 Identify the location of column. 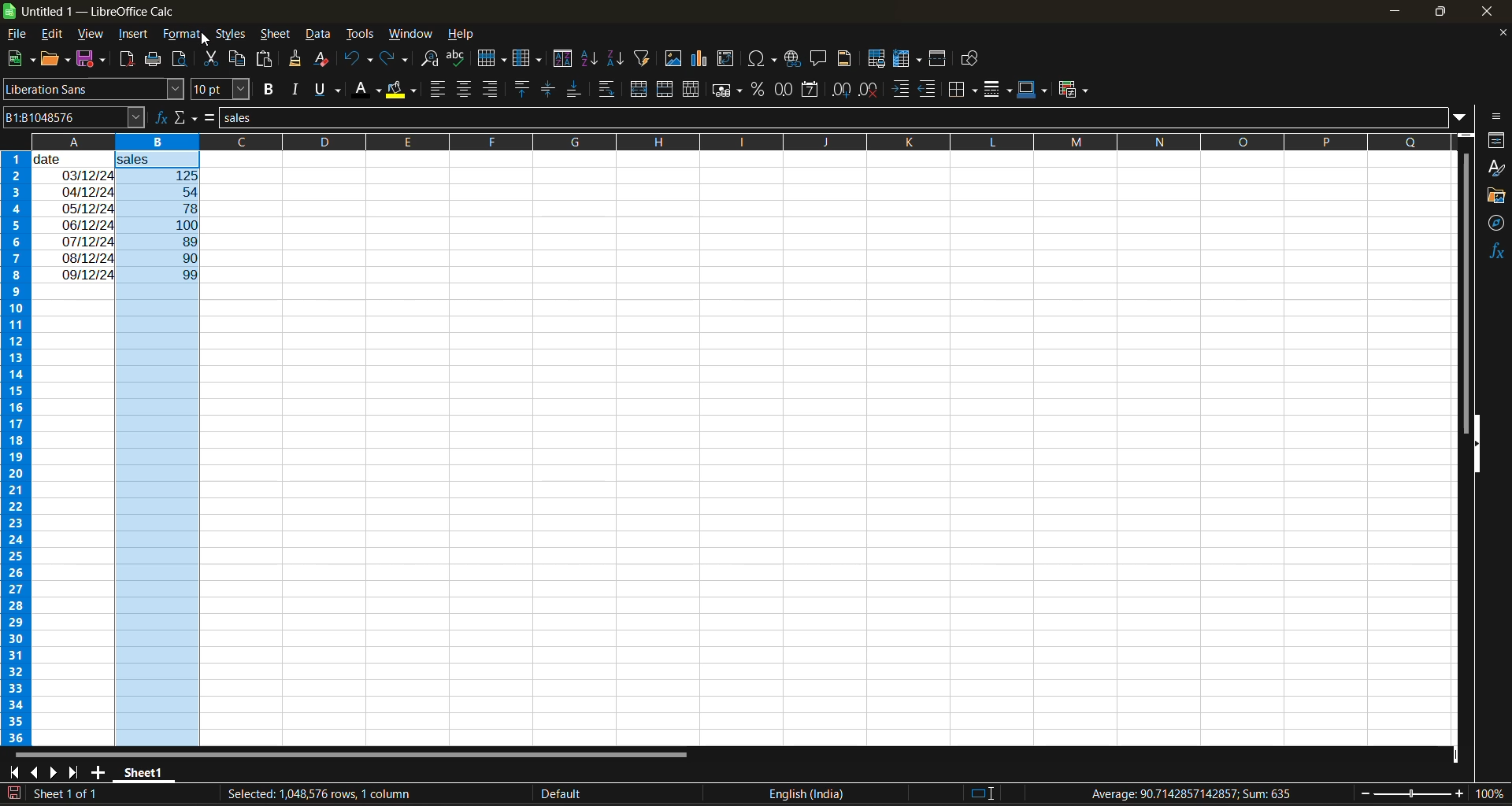
(530, 59).